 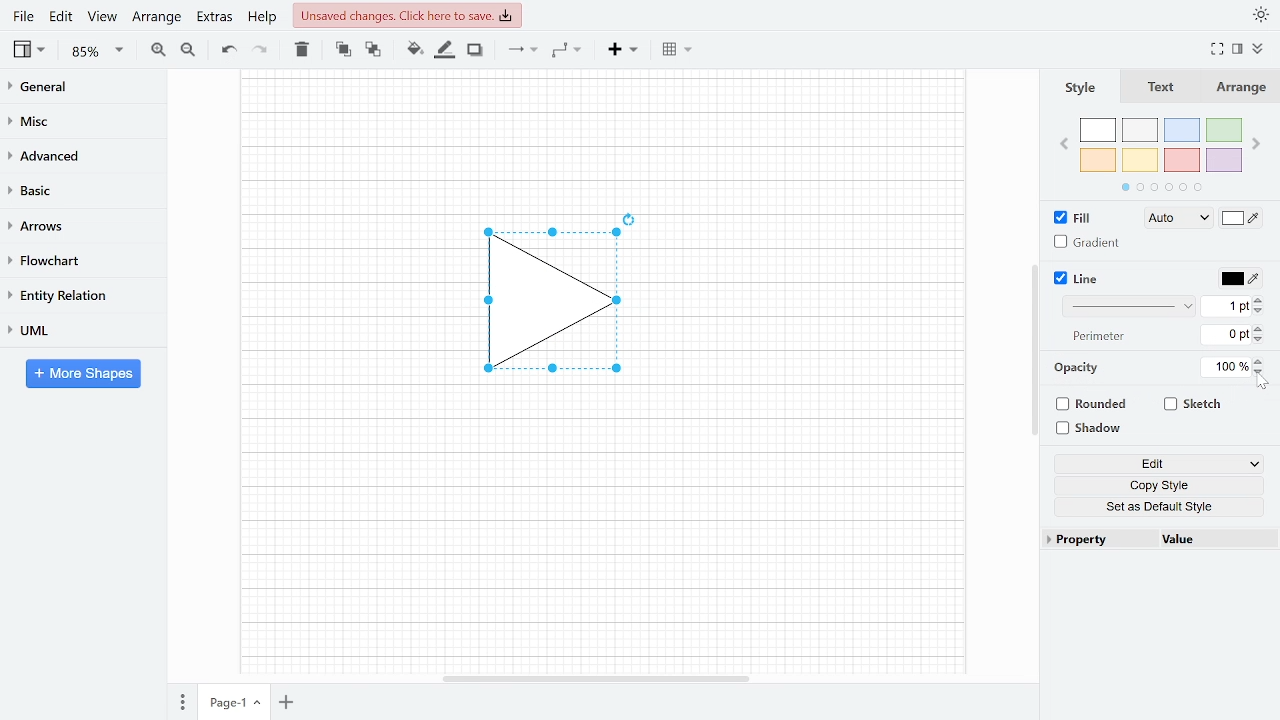 What do you see at coordinates (1182, 161) in the screenshot?
I see `red` at bounding box center [1182, 161].